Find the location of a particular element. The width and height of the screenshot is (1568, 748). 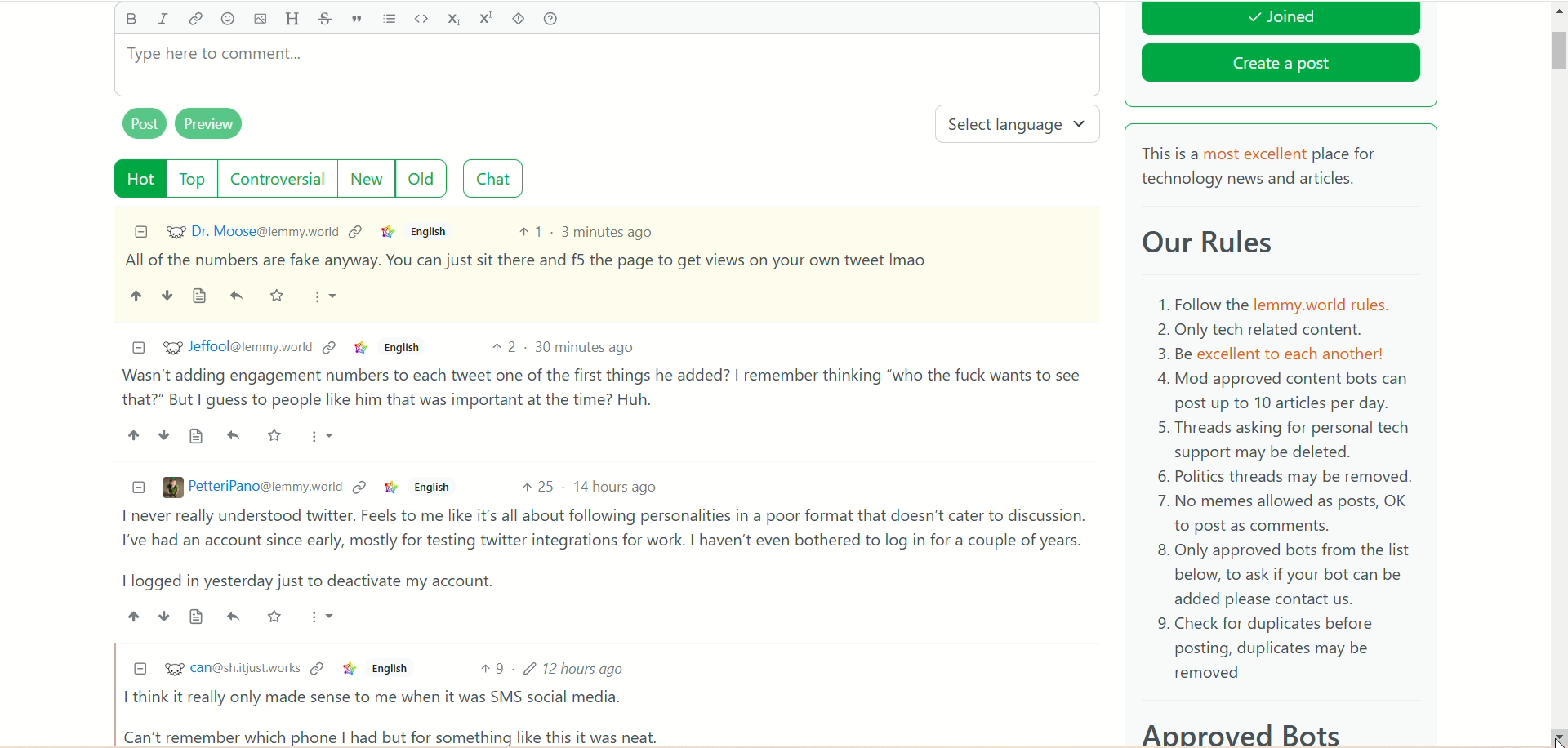

old is located at coordinates (422, 177).